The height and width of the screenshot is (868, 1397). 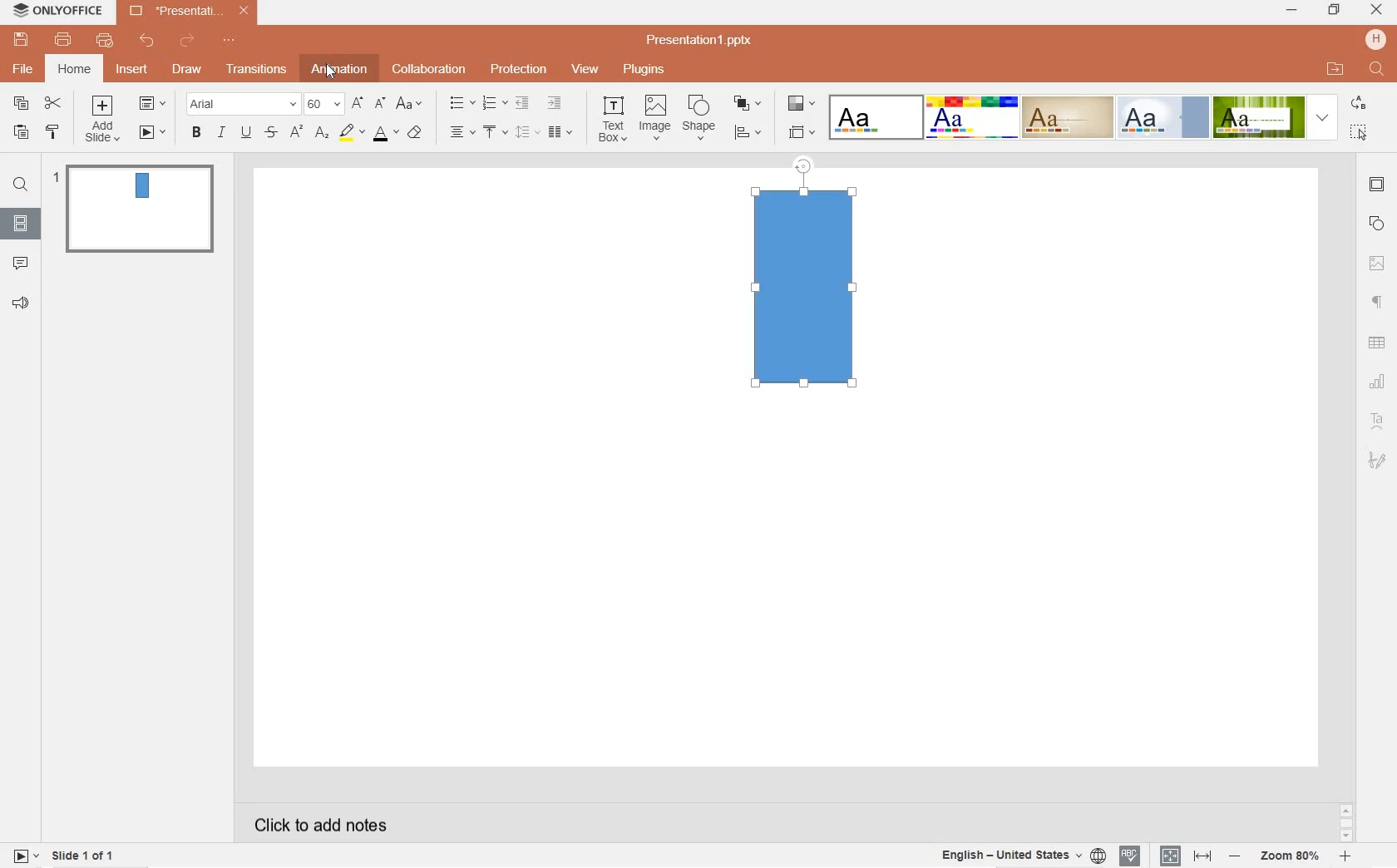 What do you see at coordinates (271, 133) in the screenshot?
I see `strikethrough` at bounding box center [271, 133].